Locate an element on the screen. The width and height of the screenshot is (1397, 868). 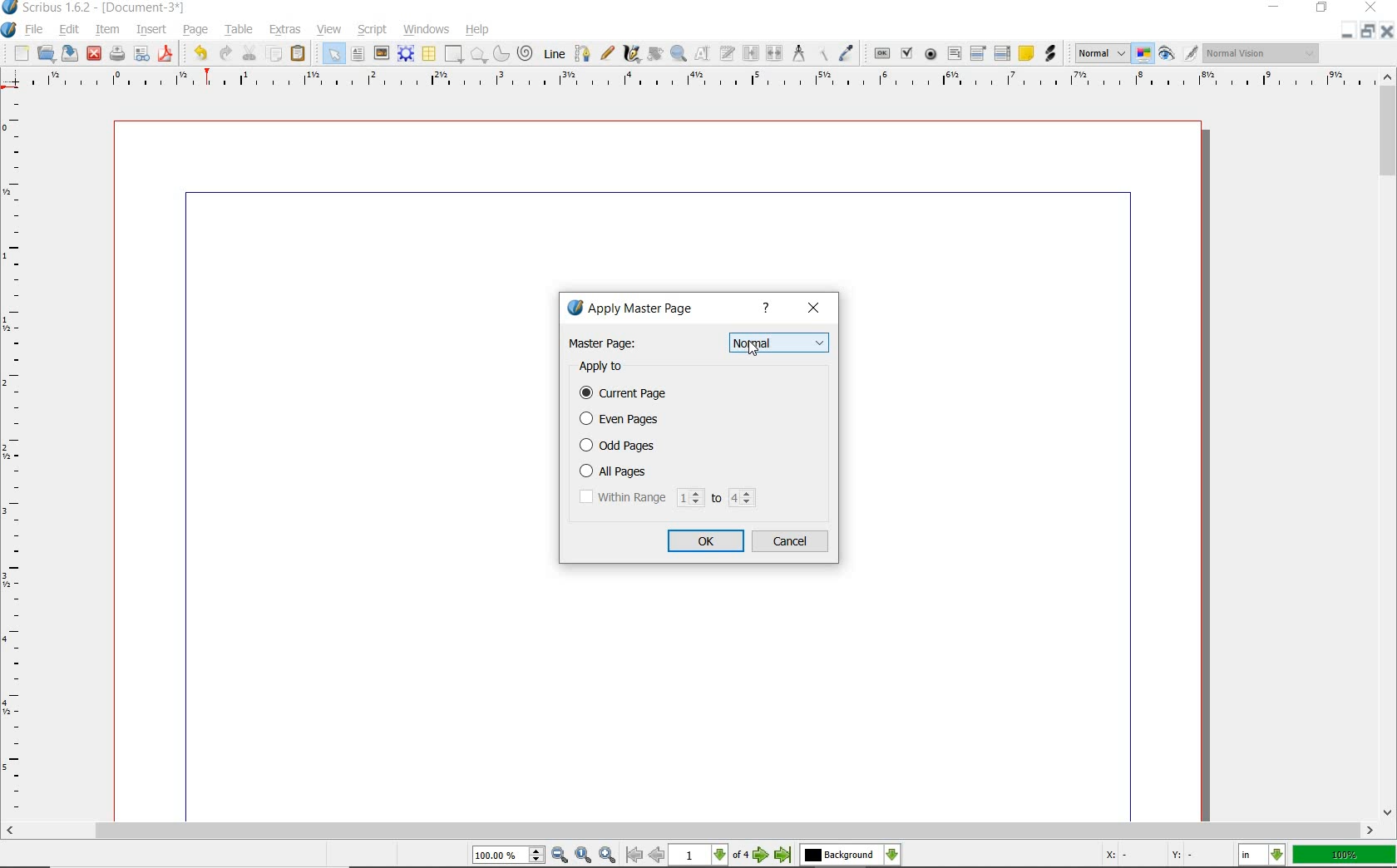
visual appearance of the display: Normal Vision is located at coordinates (1263, 53).